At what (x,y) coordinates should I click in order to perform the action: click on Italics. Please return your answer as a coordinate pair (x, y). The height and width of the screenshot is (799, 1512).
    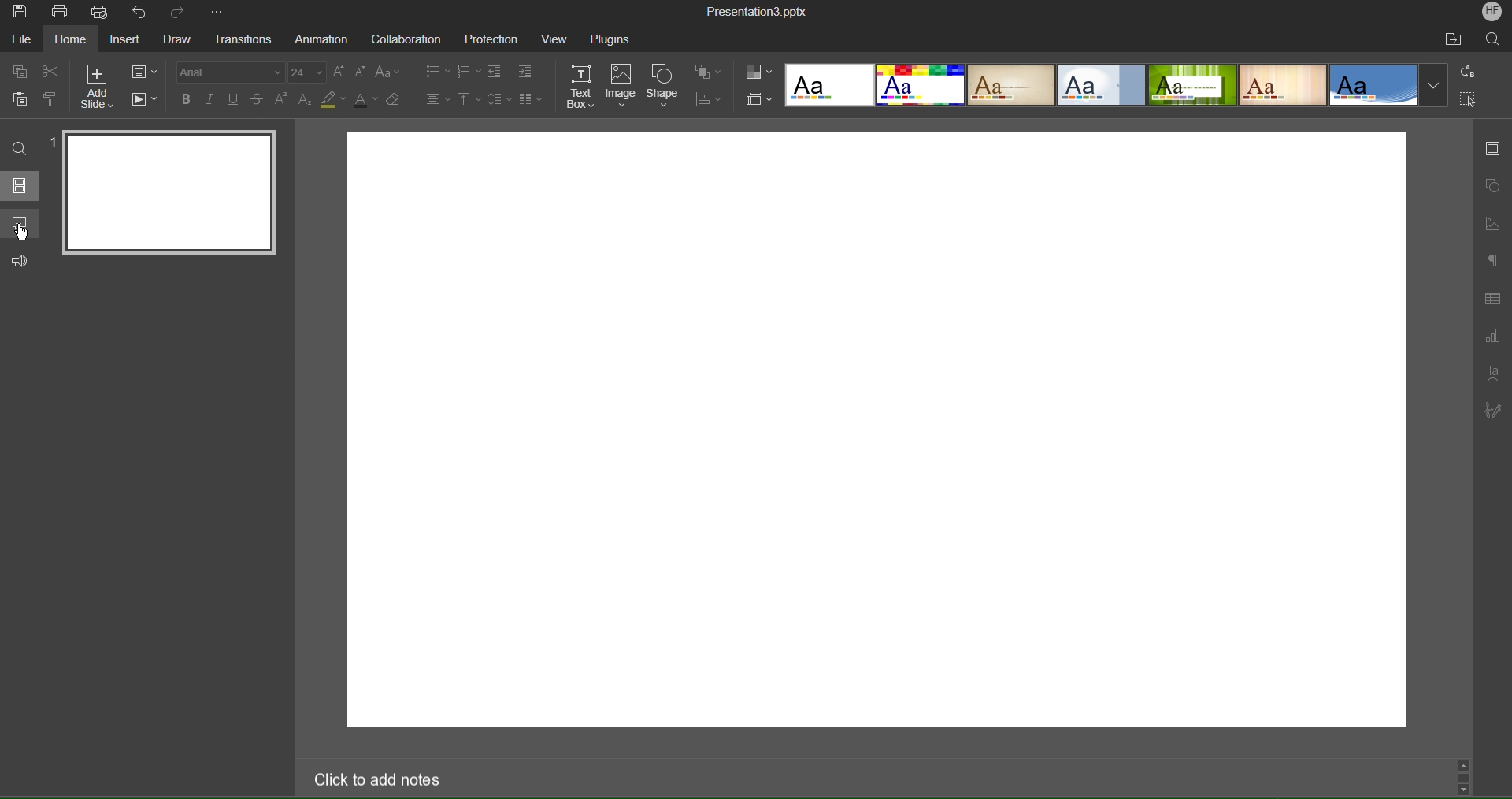
    Looking at the image, I should click on (212, 99).